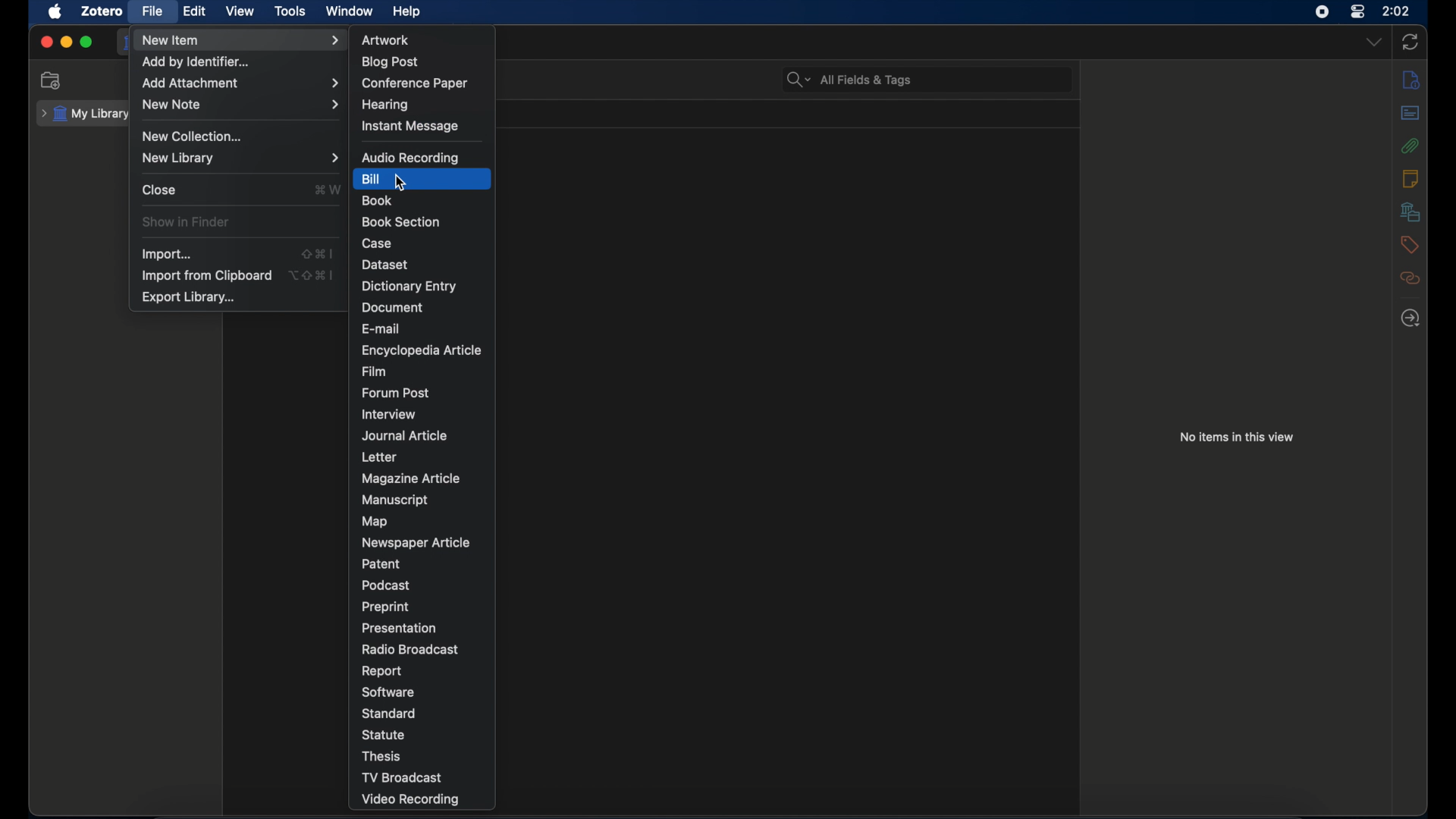 The image size is (1456, 819). Describe the element at coordinates (100, 12) in the screenshot. I see `zotero` at that location.